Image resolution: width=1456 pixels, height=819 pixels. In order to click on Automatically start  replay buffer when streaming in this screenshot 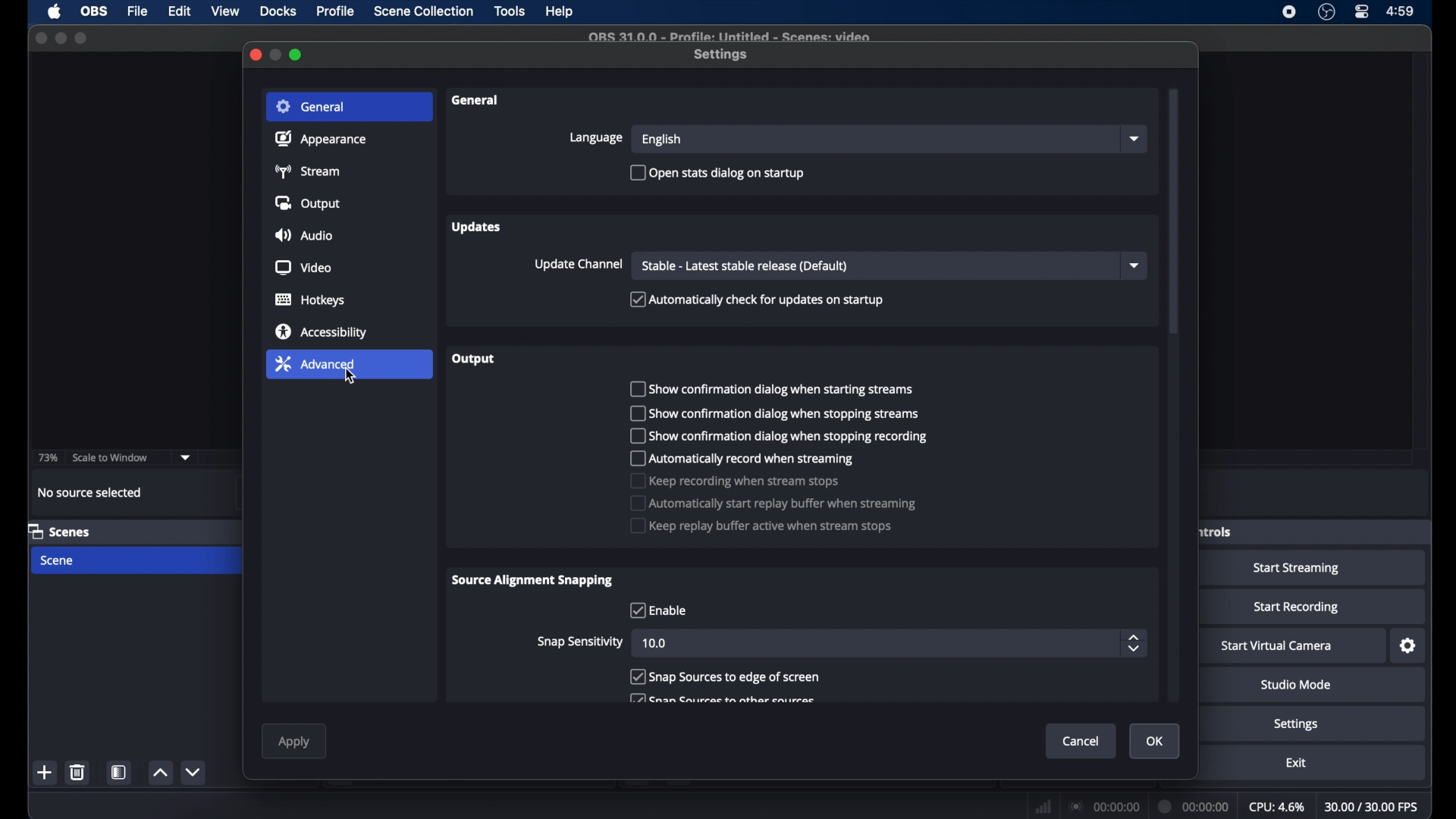, I will do `click(773, 504)`.